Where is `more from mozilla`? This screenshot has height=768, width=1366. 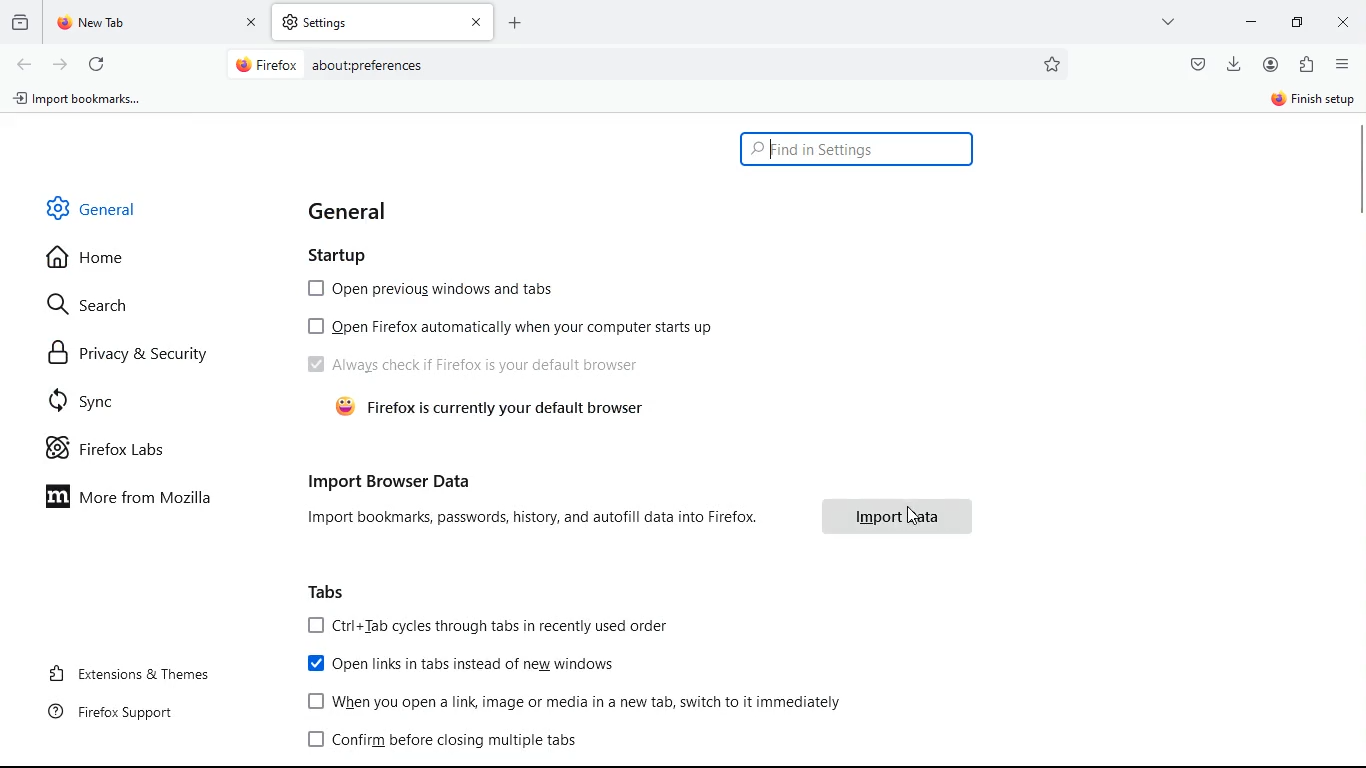 more from mozilla is located at coordinates (143, 495).